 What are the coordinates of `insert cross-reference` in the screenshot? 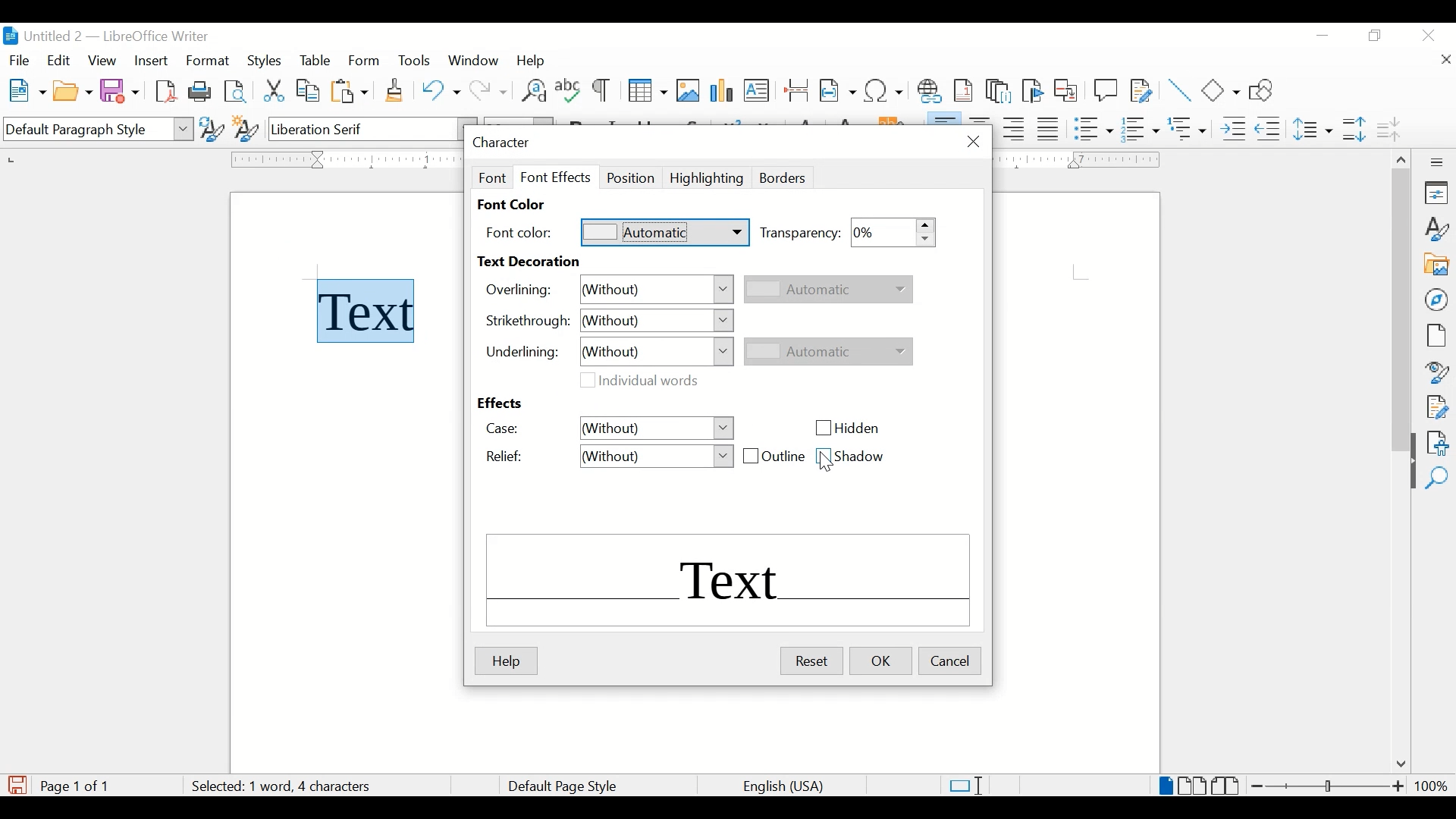 It's located at (1066, 89).